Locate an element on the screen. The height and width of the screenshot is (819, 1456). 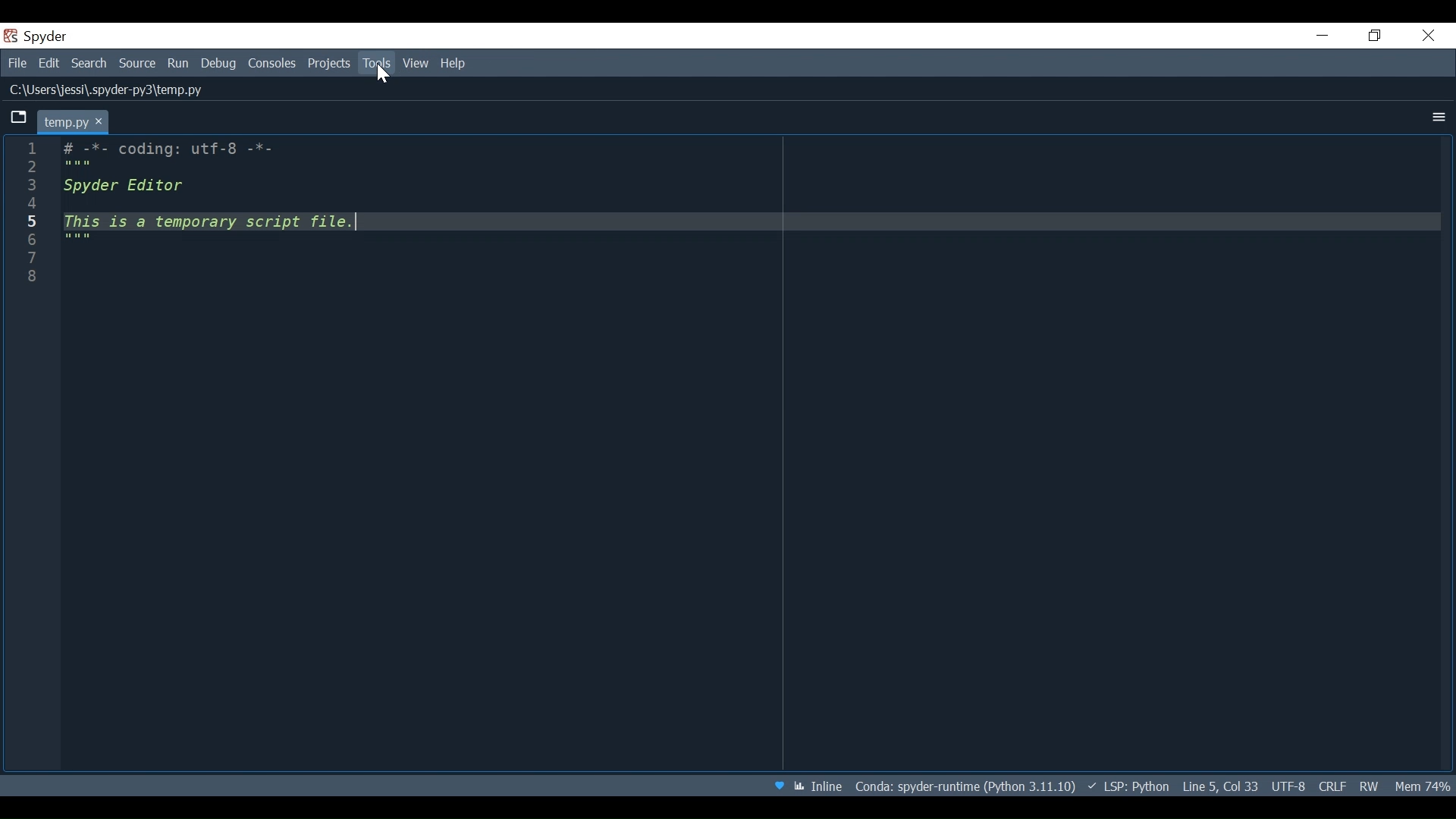
Debug is located at coordinates (220, 64).